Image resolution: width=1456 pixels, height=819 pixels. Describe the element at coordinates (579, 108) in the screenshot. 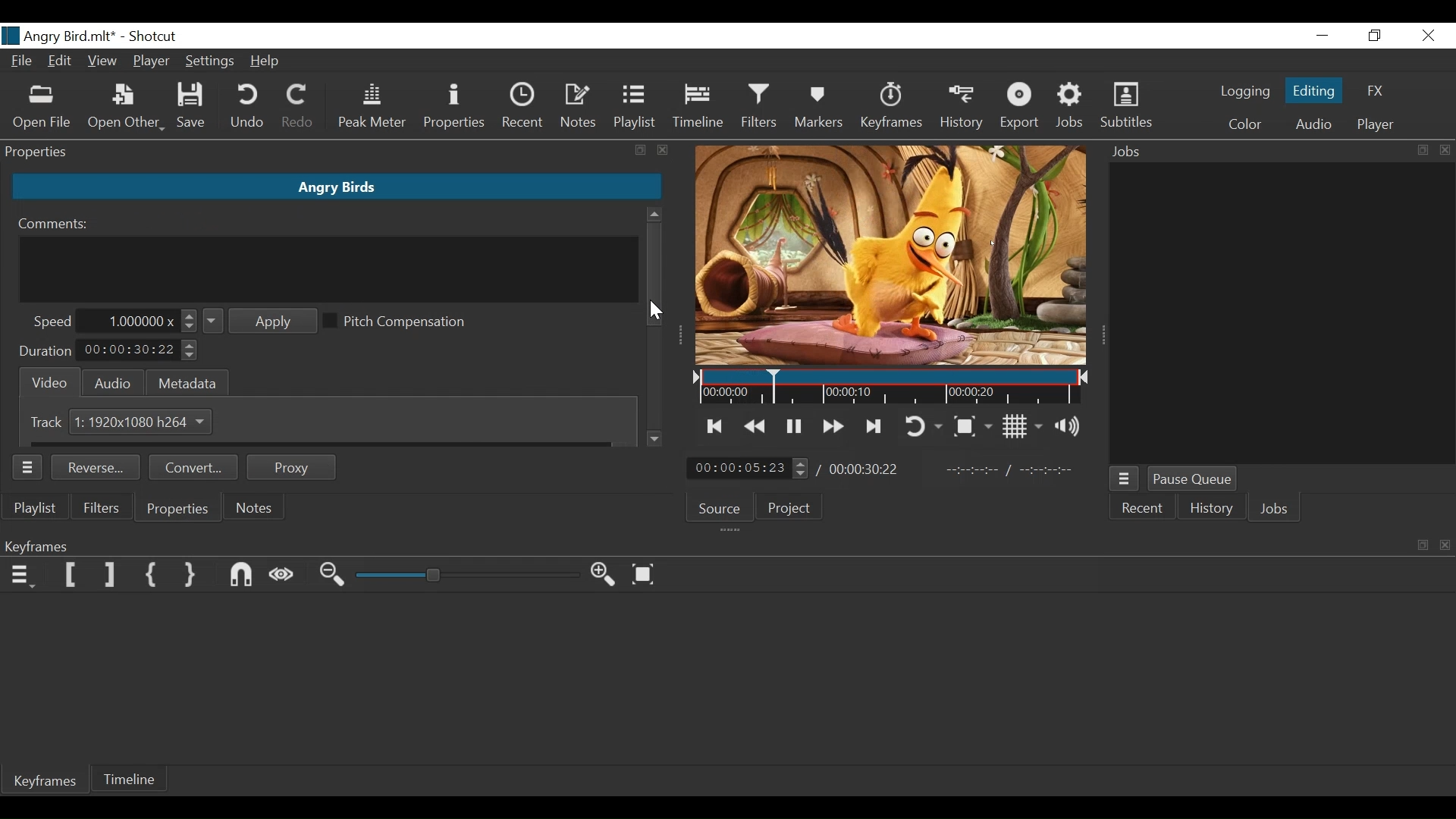

I see `Notes` at that location.